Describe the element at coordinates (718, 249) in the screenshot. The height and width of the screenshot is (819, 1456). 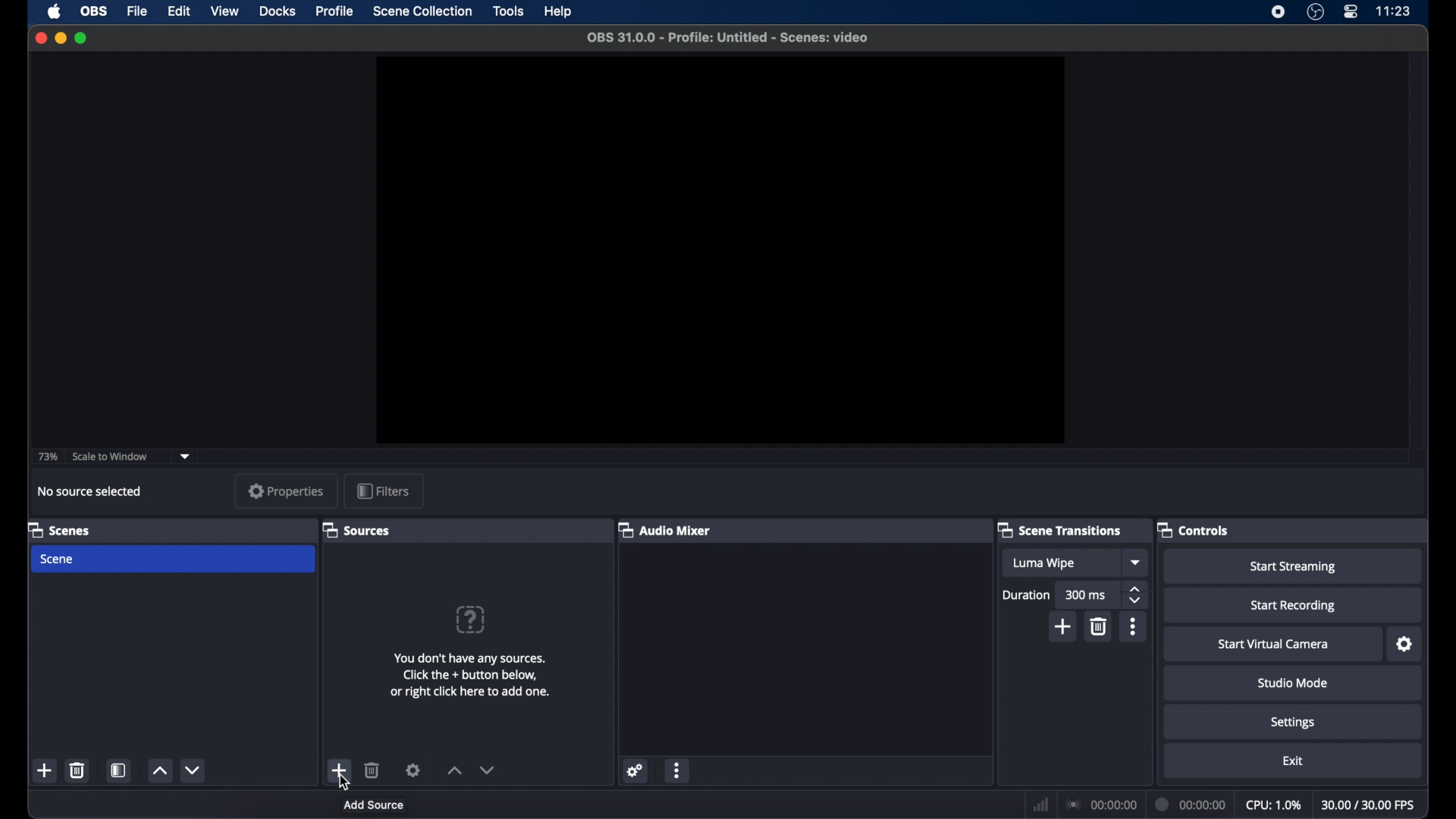
I see `preview` at that location.